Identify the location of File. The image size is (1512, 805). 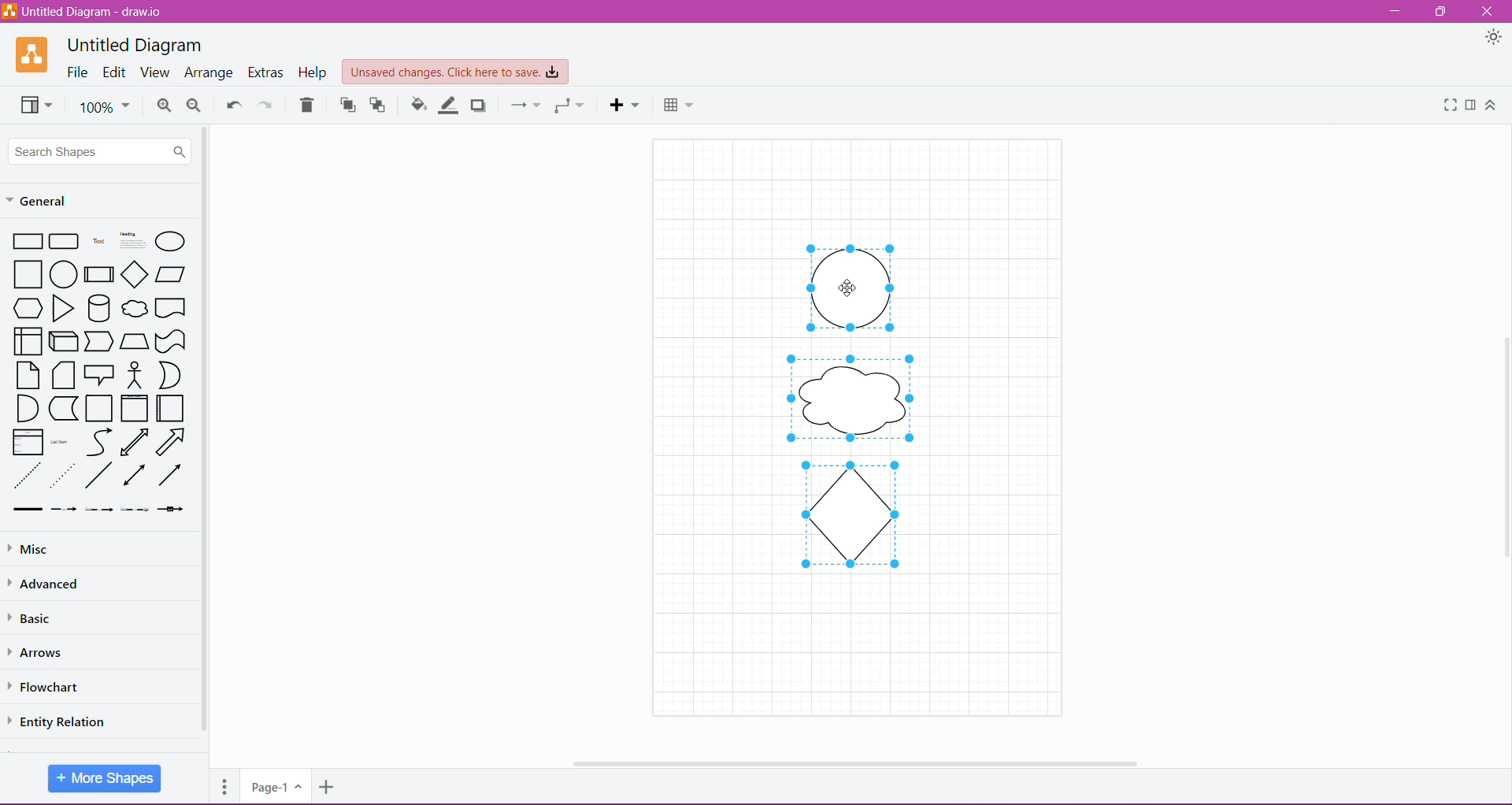
(78, 72).